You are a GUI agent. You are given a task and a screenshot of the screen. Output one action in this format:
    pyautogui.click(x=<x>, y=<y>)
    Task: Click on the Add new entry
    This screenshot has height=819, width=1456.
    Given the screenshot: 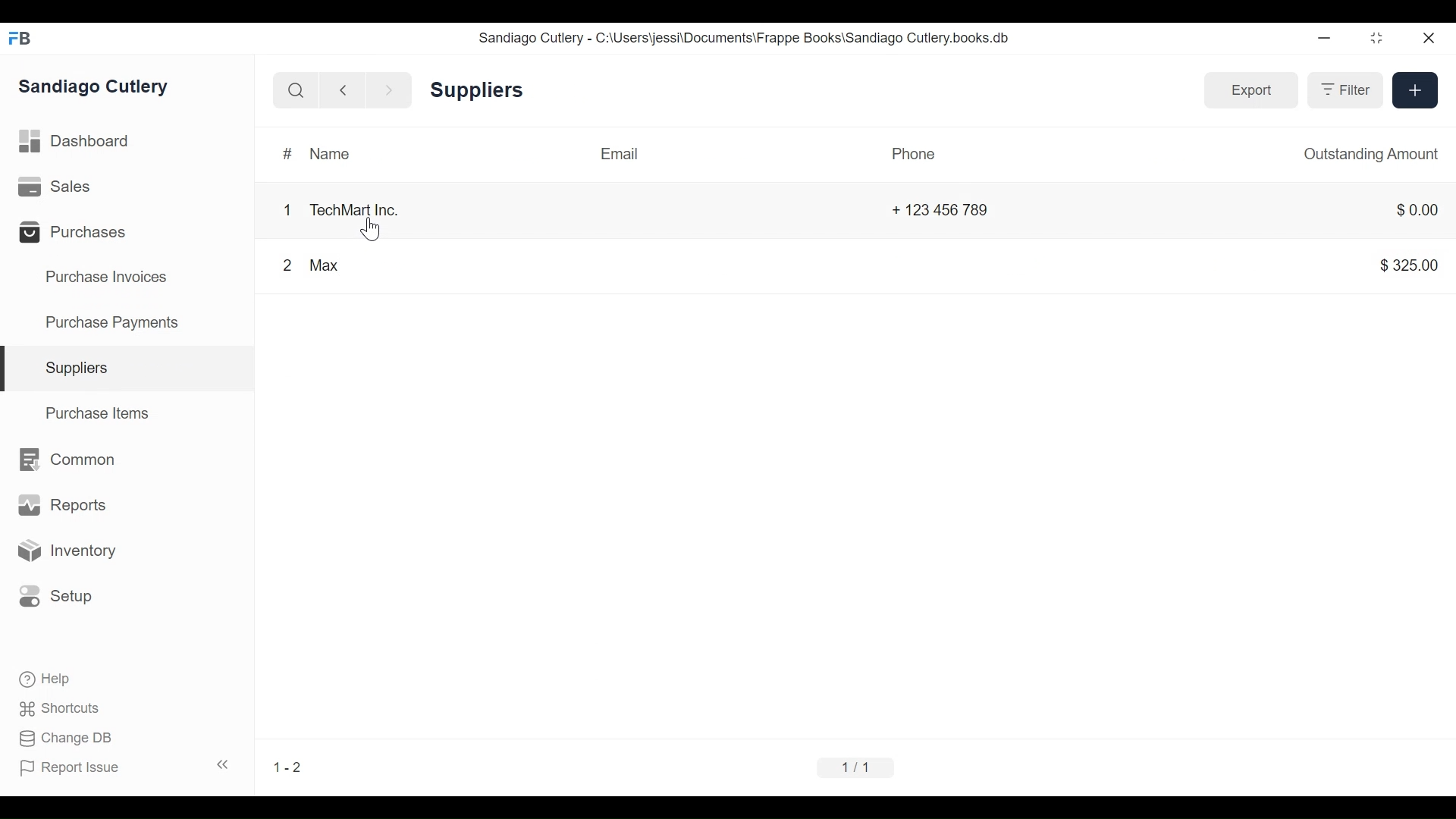 What is the action you would take?
    pyautogui.click(x=1415, y=93)
    